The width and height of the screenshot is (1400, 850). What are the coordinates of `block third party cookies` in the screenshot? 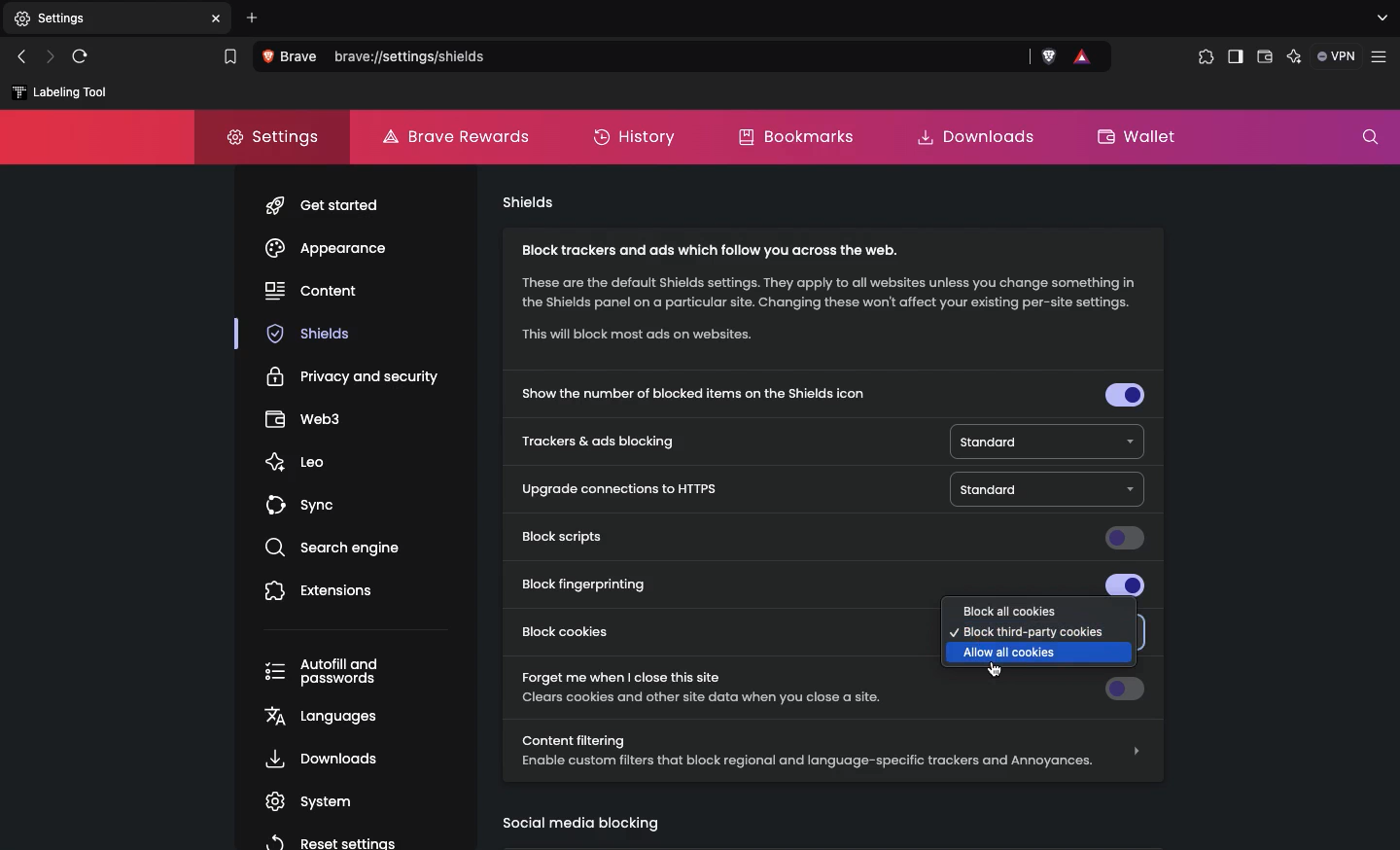 It's located at (1032, 633).